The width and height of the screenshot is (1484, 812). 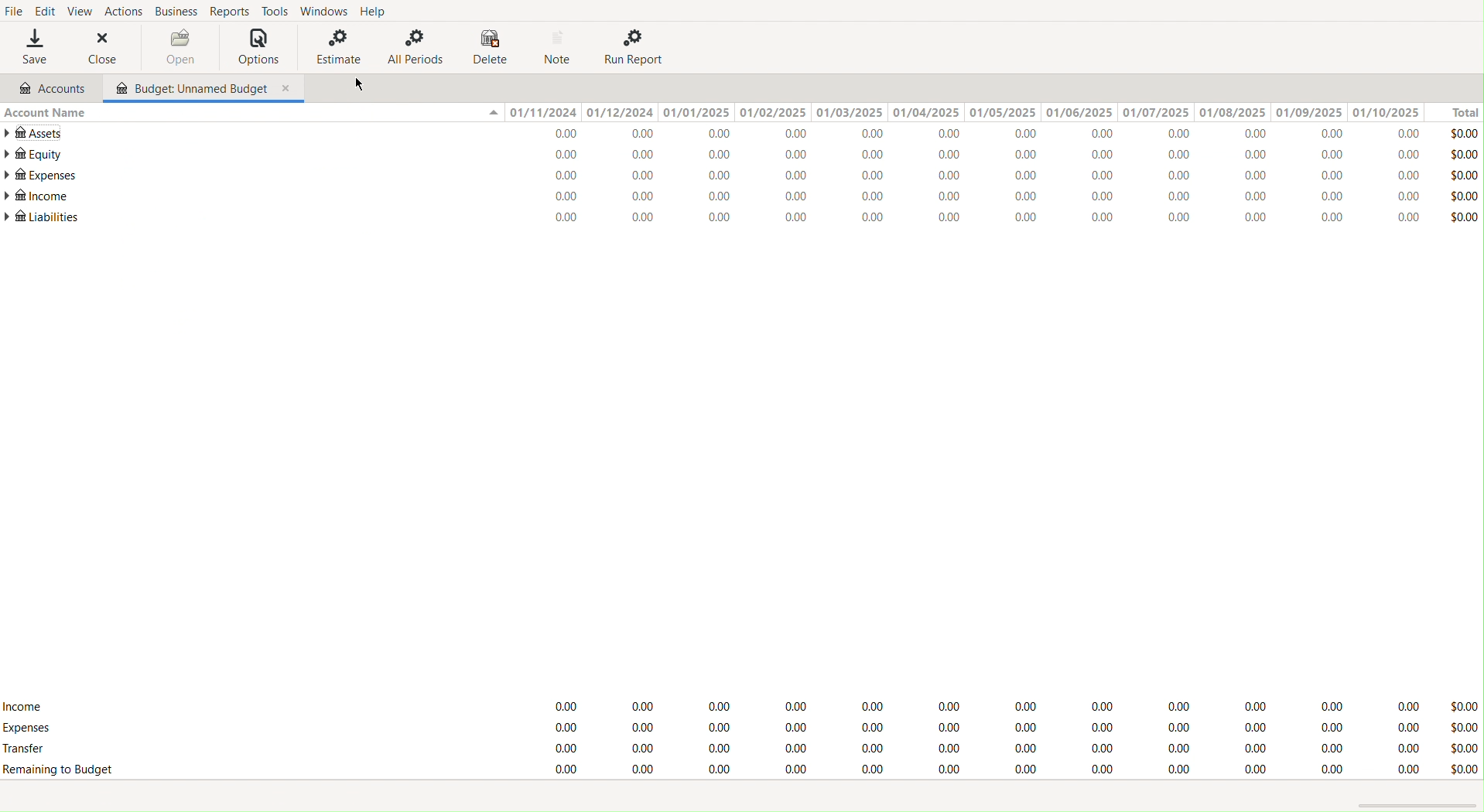 I want to click on Transfer, so click(x=33, y=749).